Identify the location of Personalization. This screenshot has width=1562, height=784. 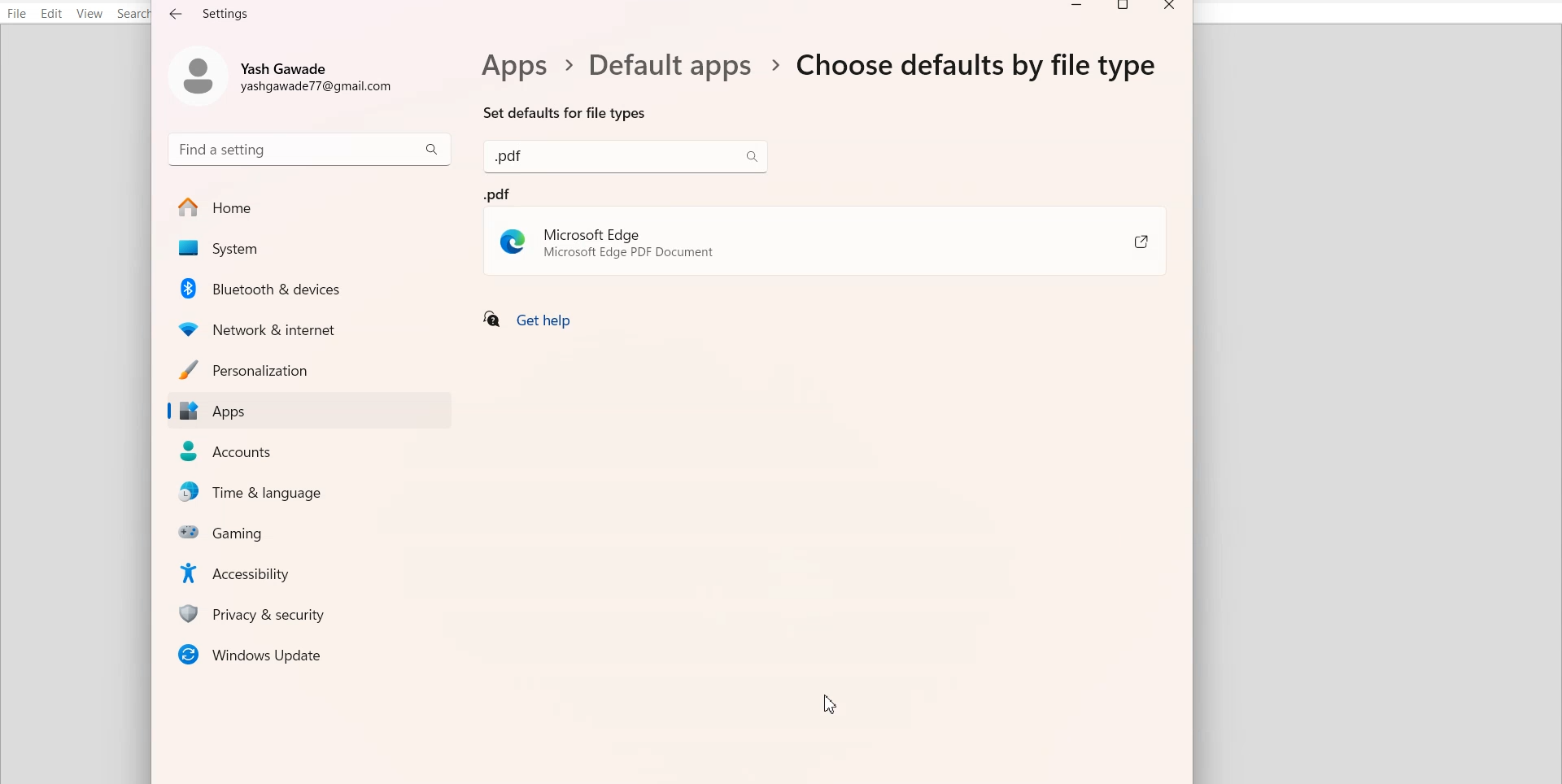
(308, 369).